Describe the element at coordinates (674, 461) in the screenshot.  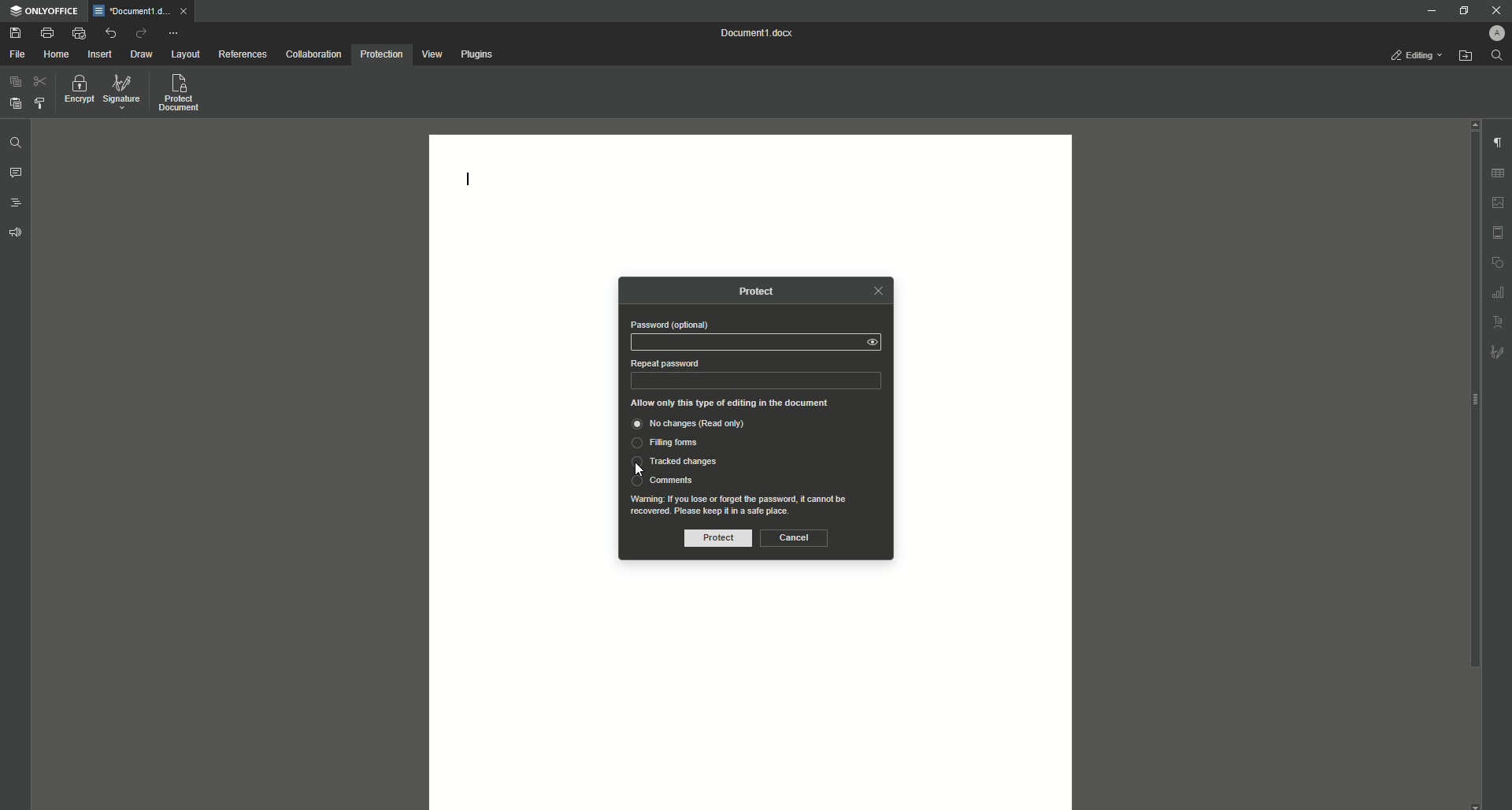
I see `Tracked changed` at that location.